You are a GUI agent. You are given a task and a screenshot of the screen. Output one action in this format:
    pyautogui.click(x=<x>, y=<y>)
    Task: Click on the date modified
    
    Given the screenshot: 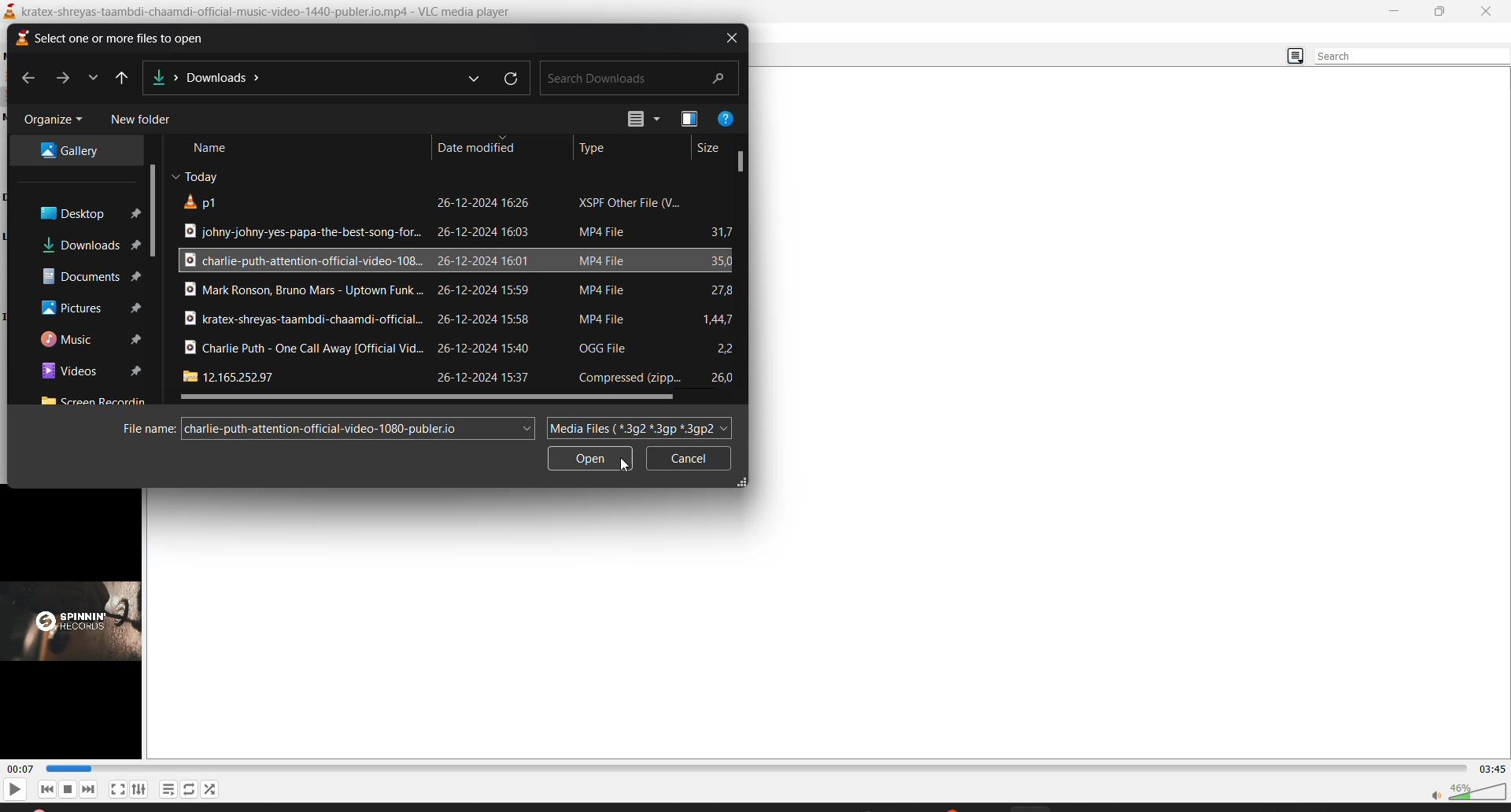 What is the action you would take?
    pyautogui.click(x=492, y=288)
    